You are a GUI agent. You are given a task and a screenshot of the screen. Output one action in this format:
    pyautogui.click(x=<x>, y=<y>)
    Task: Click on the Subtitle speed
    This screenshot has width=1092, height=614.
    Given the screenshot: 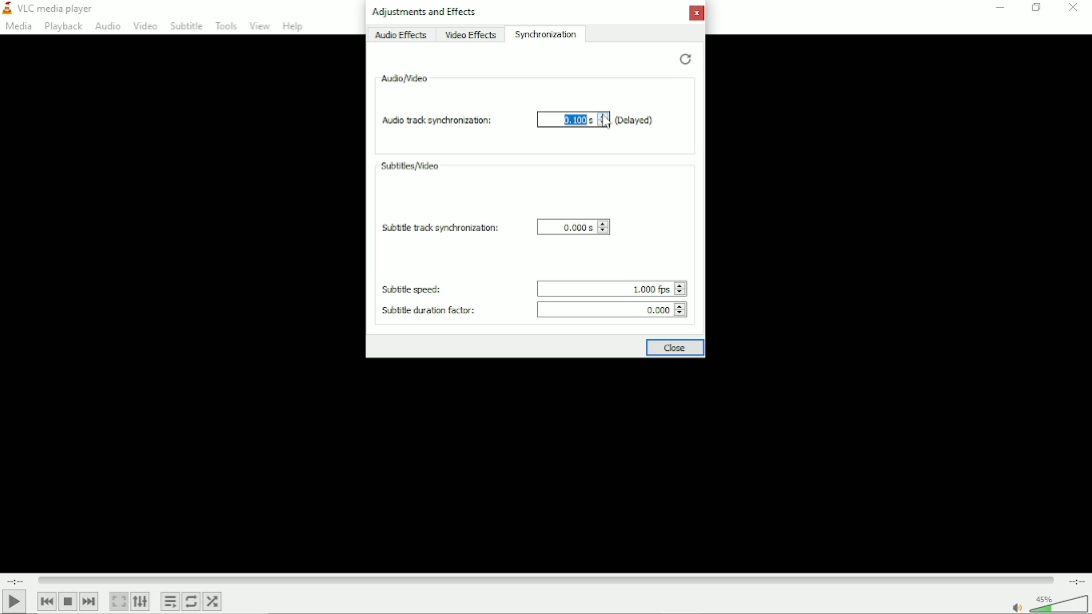 What is the action you would take?
    pyautogui.click(x=410, y=289)
    